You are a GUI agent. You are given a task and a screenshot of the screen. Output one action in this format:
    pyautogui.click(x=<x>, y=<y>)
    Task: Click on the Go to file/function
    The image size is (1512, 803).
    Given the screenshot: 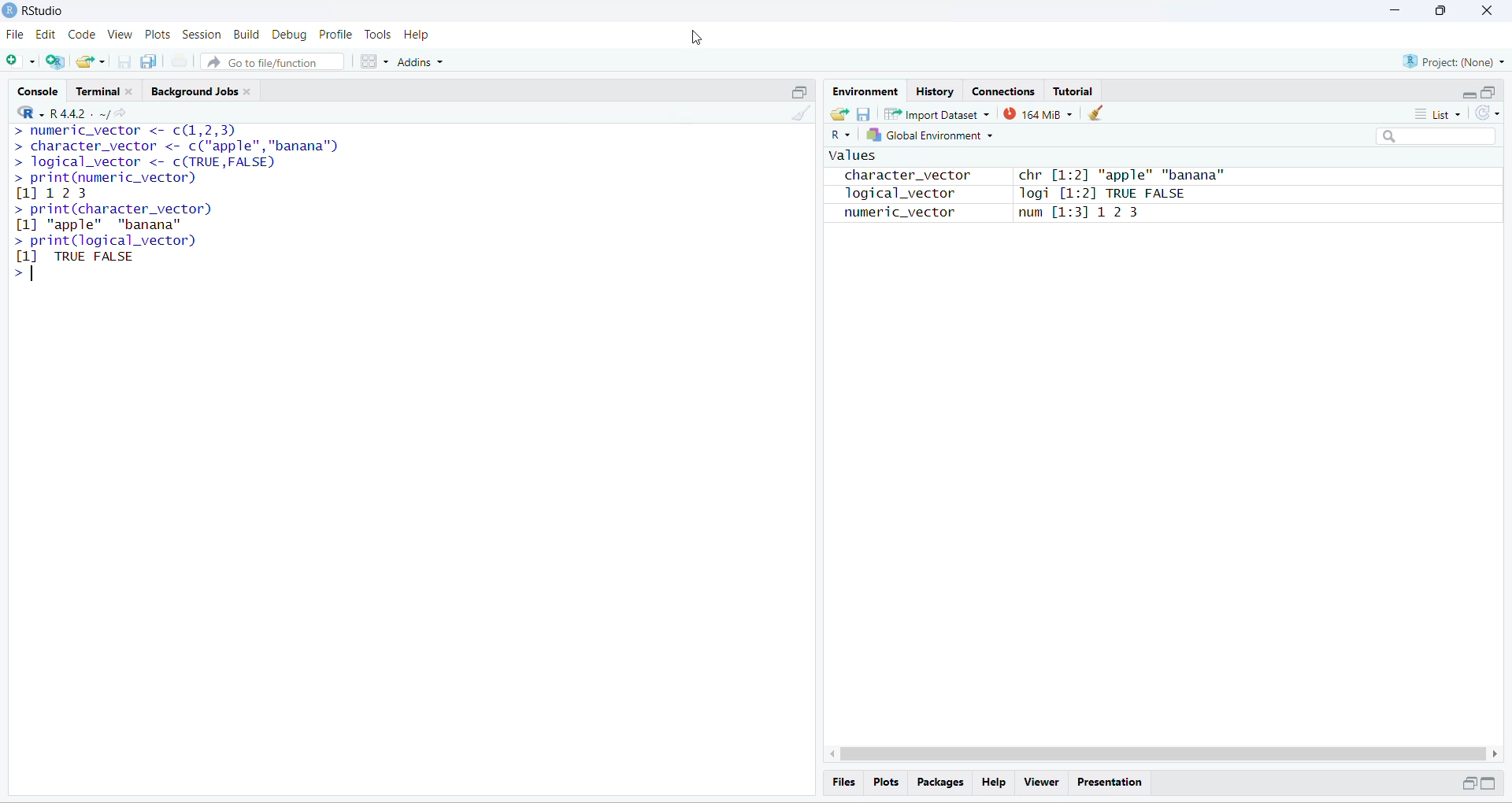 What is the action you would take?
    pyautogui.click(x=271, y=62)
    